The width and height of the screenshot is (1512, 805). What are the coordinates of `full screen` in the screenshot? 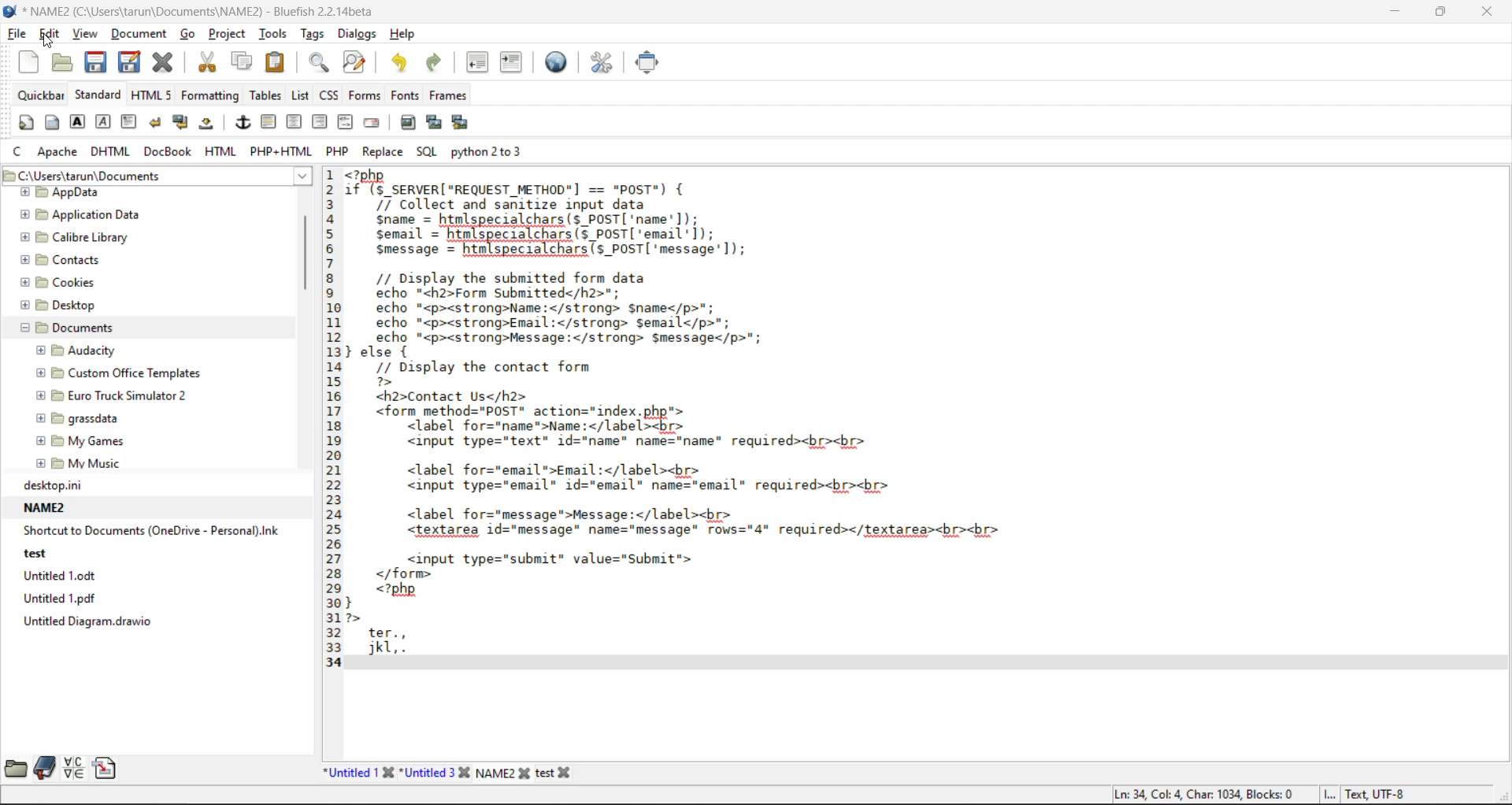 It's located at (648, 65).